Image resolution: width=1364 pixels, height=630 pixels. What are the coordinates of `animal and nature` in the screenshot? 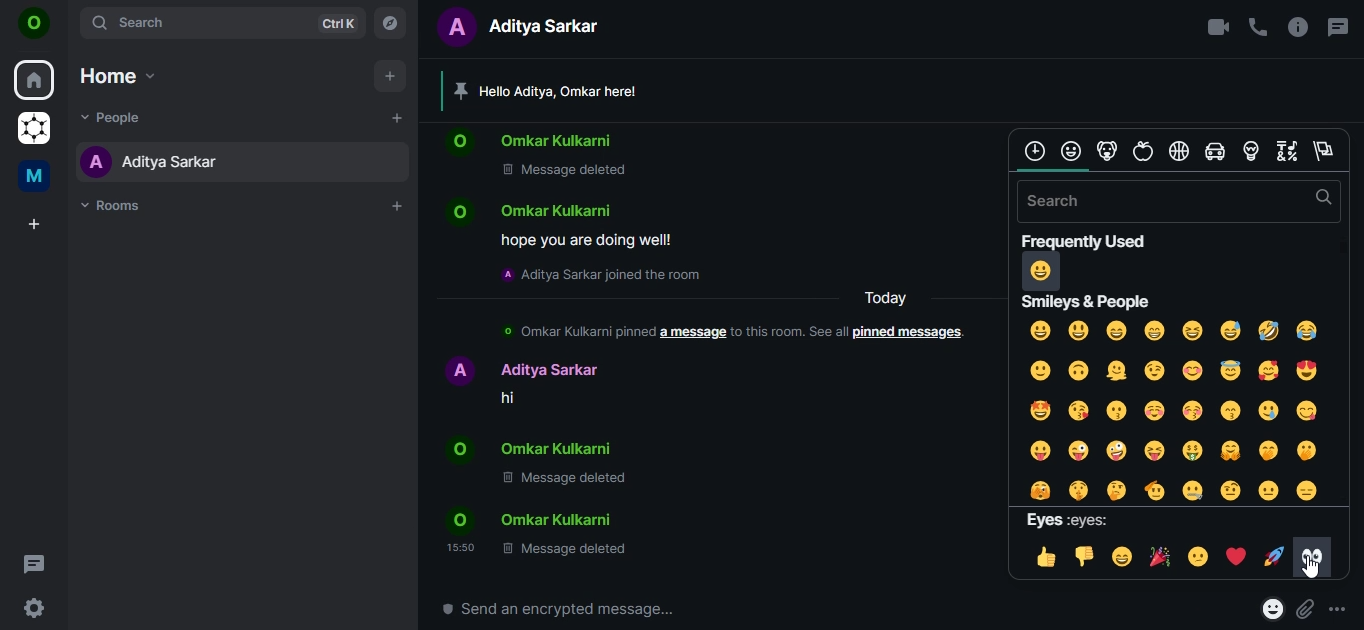 It's located at (1109, 151).